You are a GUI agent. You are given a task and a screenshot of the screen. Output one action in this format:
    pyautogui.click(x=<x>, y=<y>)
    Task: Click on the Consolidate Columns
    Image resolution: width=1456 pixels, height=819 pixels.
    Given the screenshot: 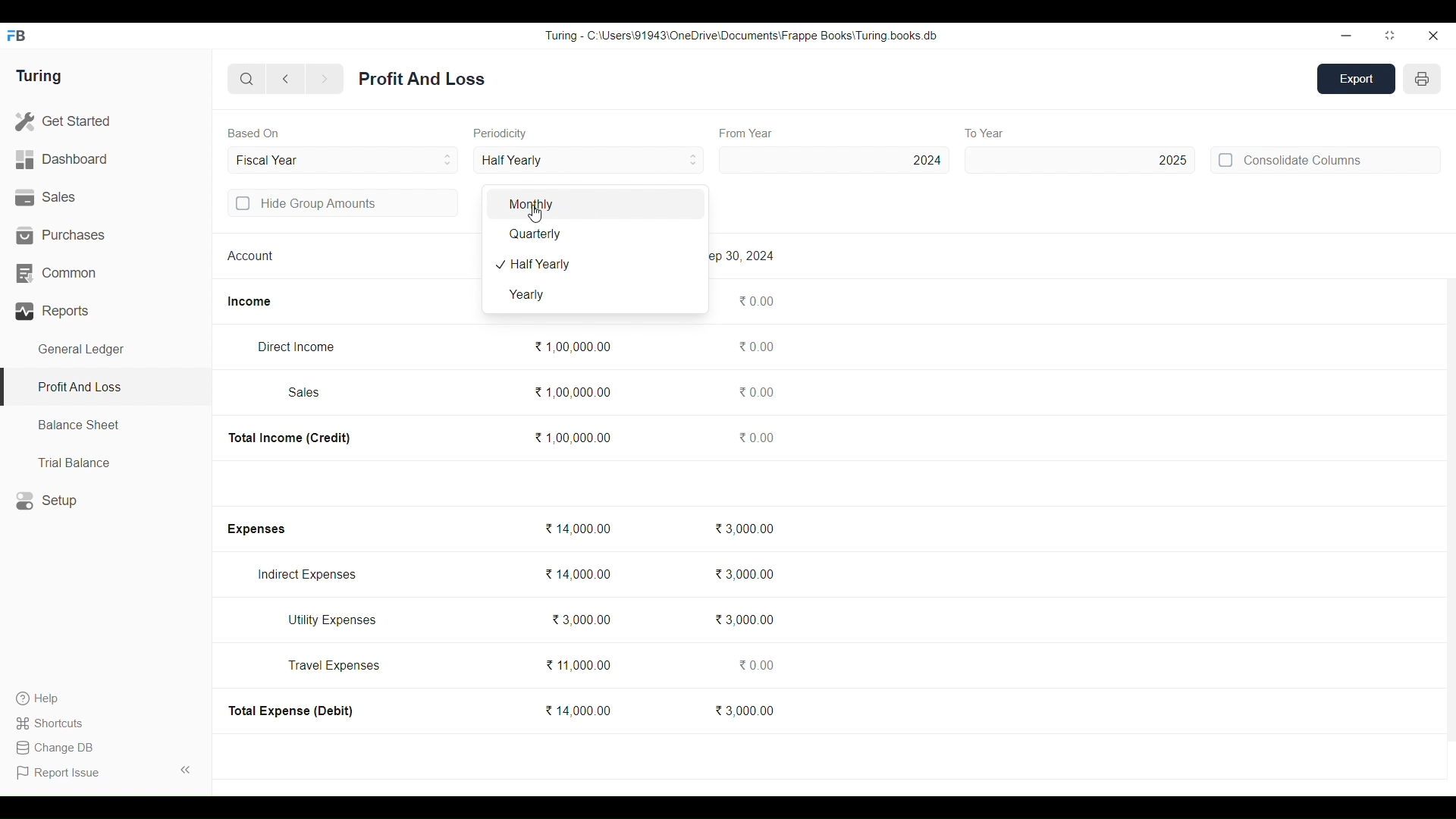 What is the action you would take?
    pyautogui.click(x=1325, y=159)
    